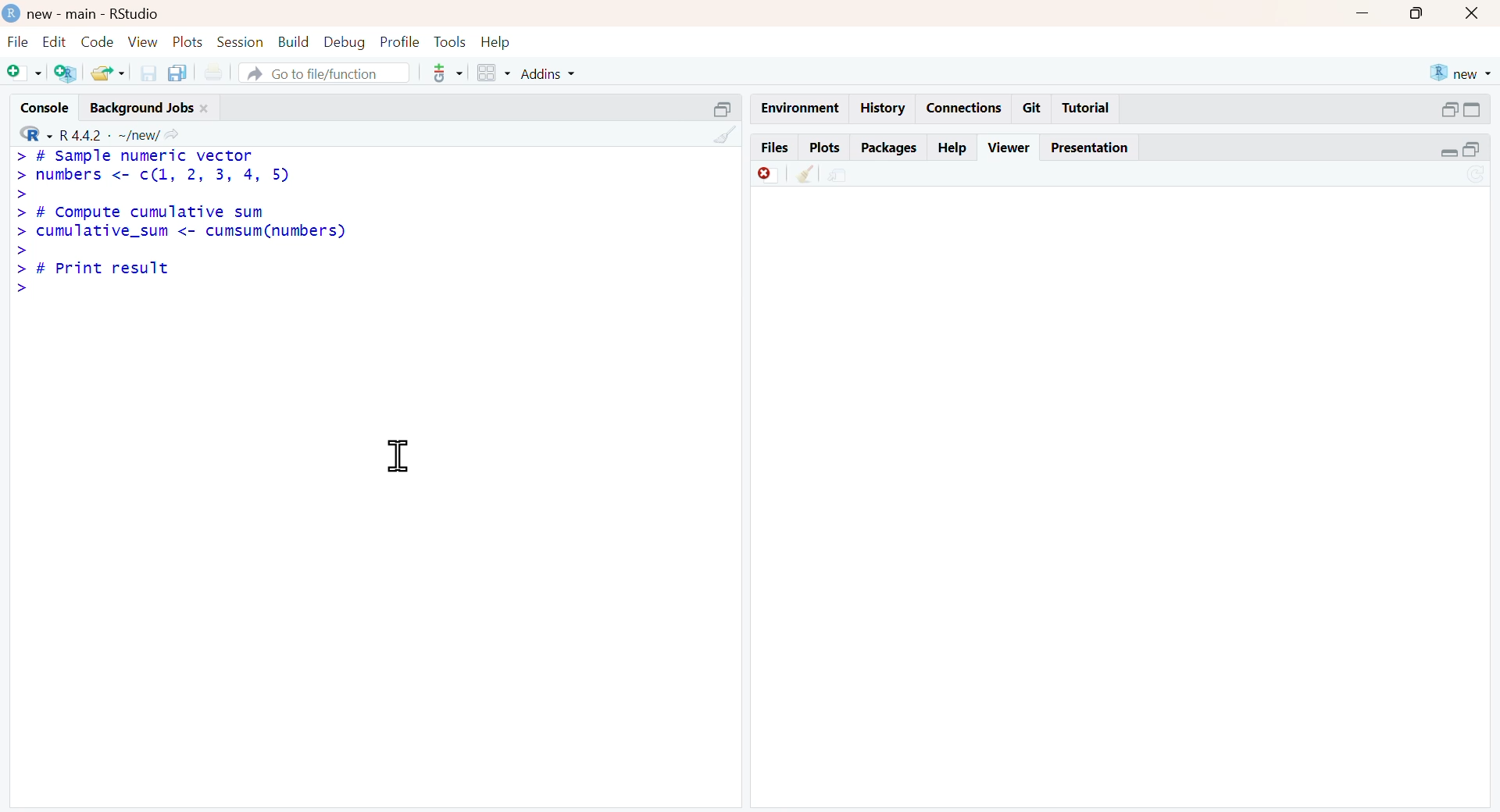 The height and width of the screenshot is (812, 1500). What do you see at coordinates (726, 134) in the screenshot?
I see `clear console` at bounding box center [726, 134].